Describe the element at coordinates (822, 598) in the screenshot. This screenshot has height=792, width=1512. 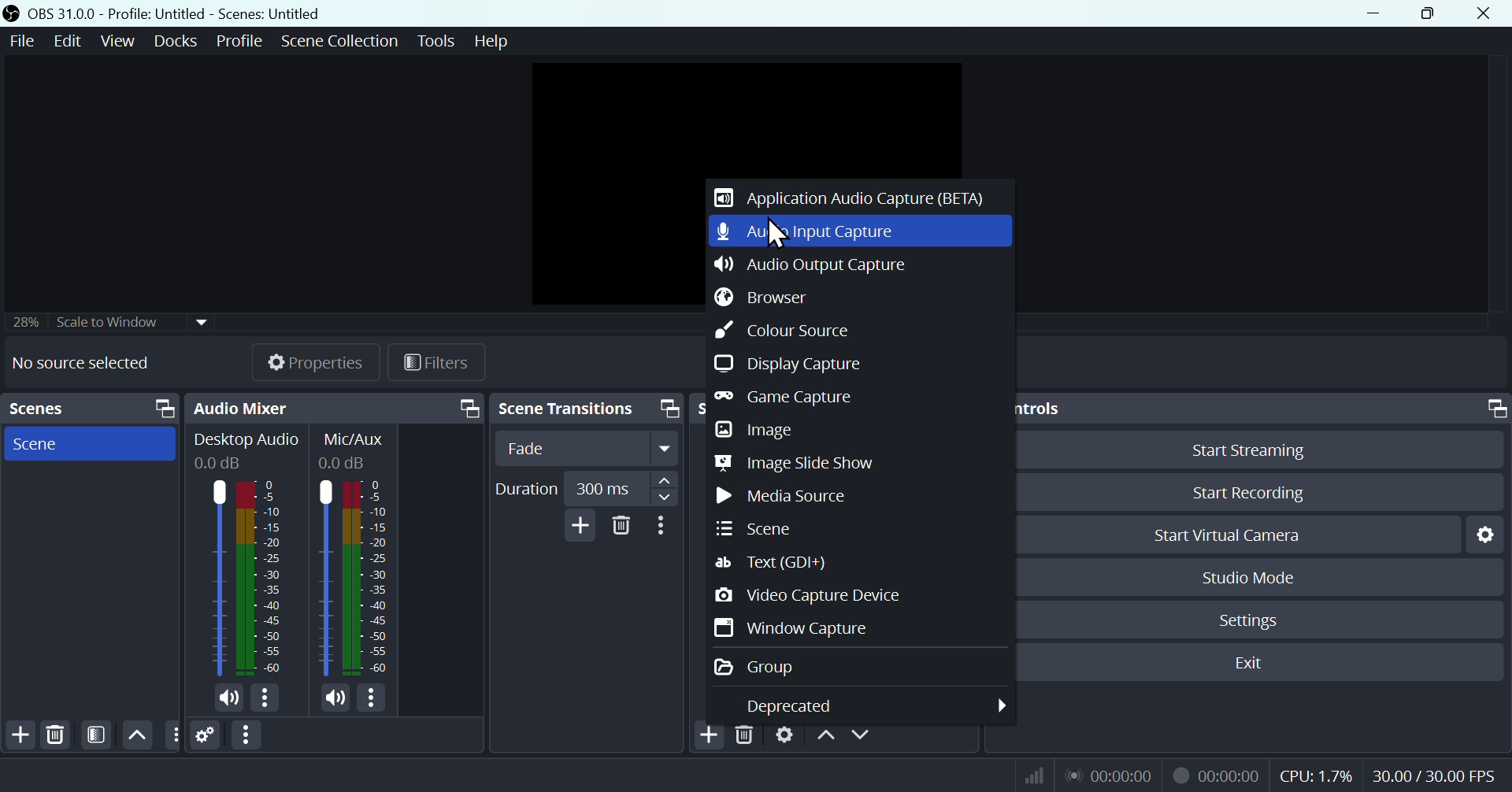
I see `Video capture device` at that location.